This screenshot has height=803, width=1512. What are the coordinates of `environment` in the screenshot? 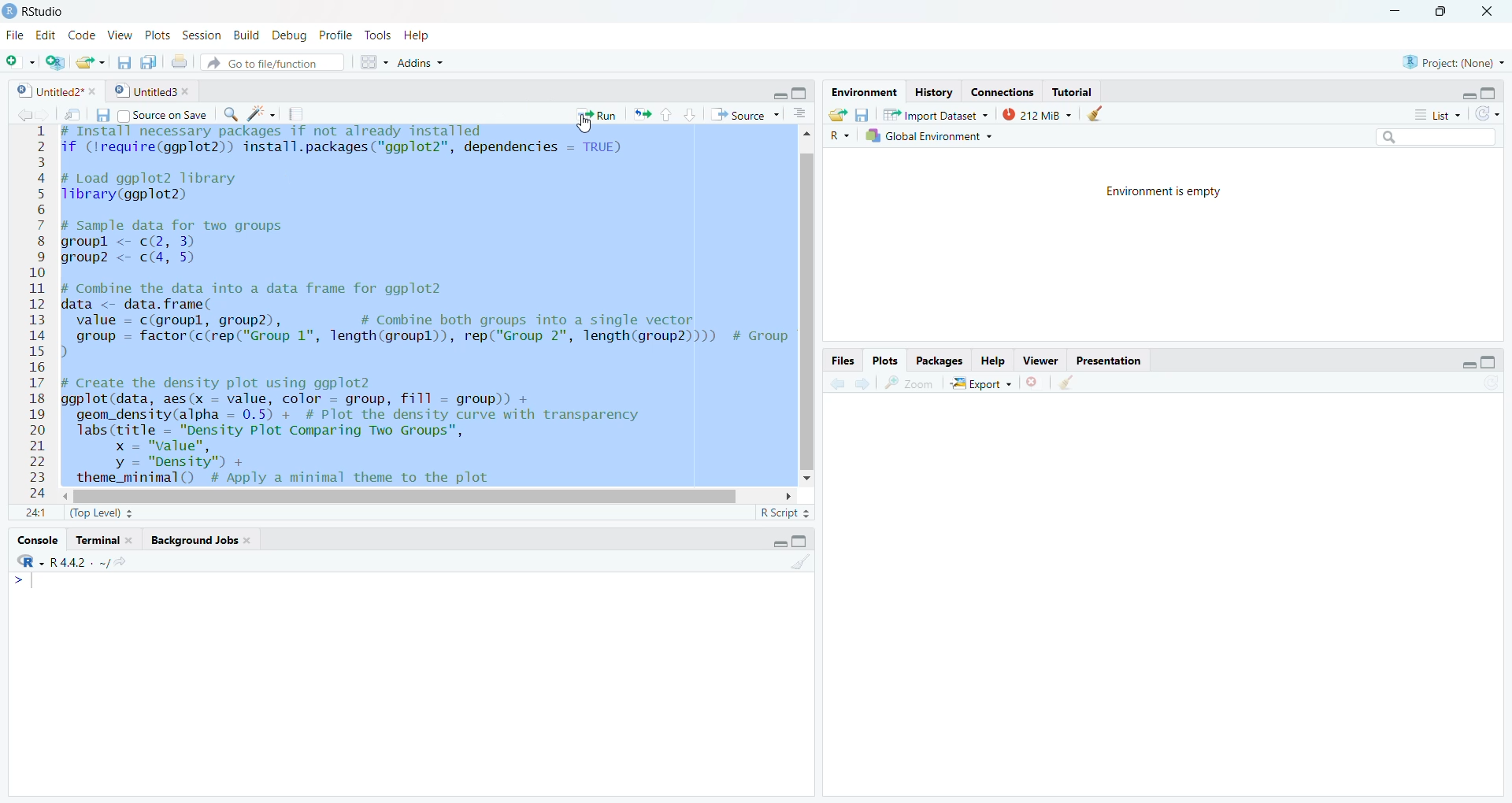 It's located at (859, 92).